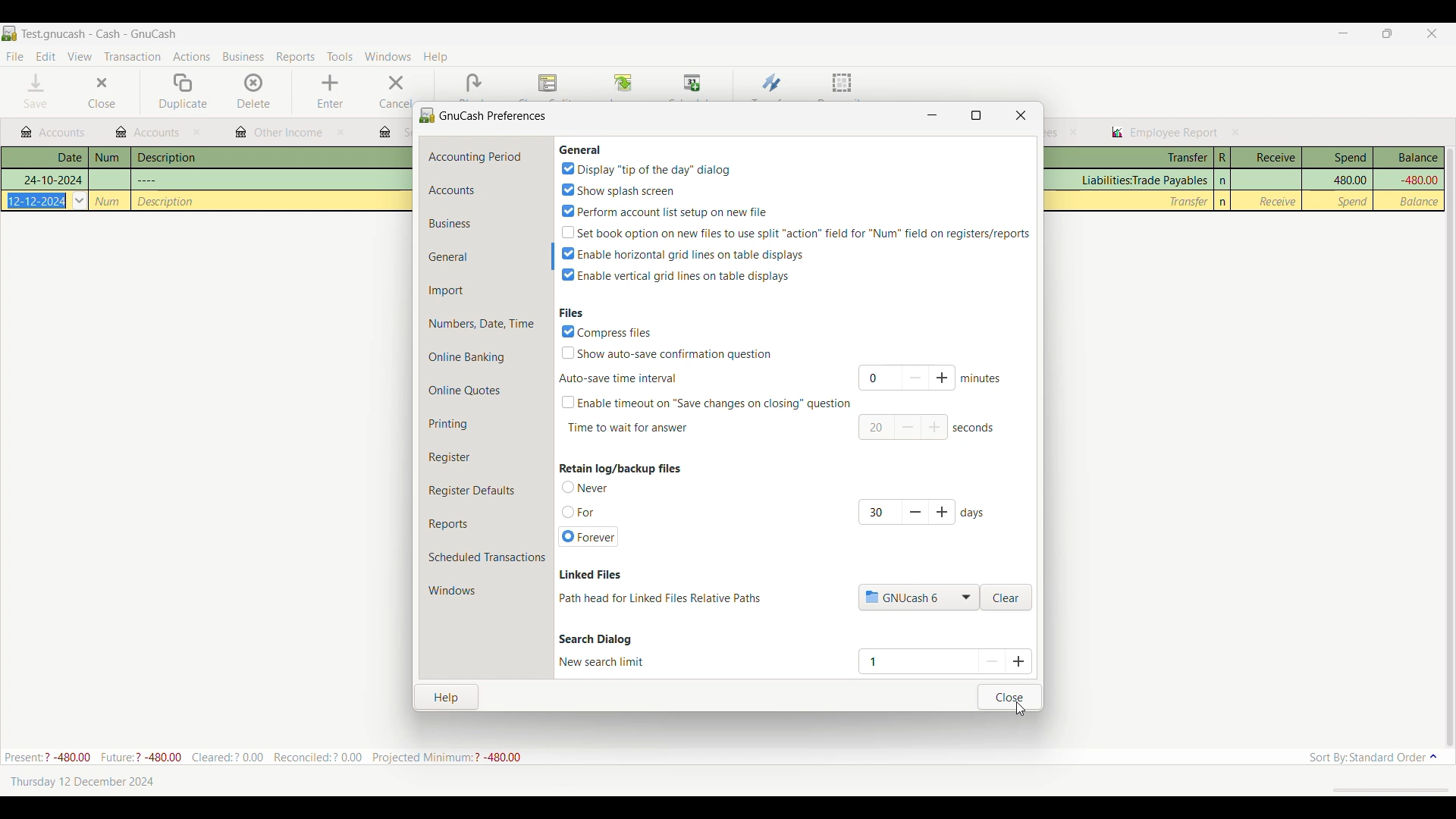 This screenshot has height=819, width=1456. I want to click on minimize, so click(933, 113).